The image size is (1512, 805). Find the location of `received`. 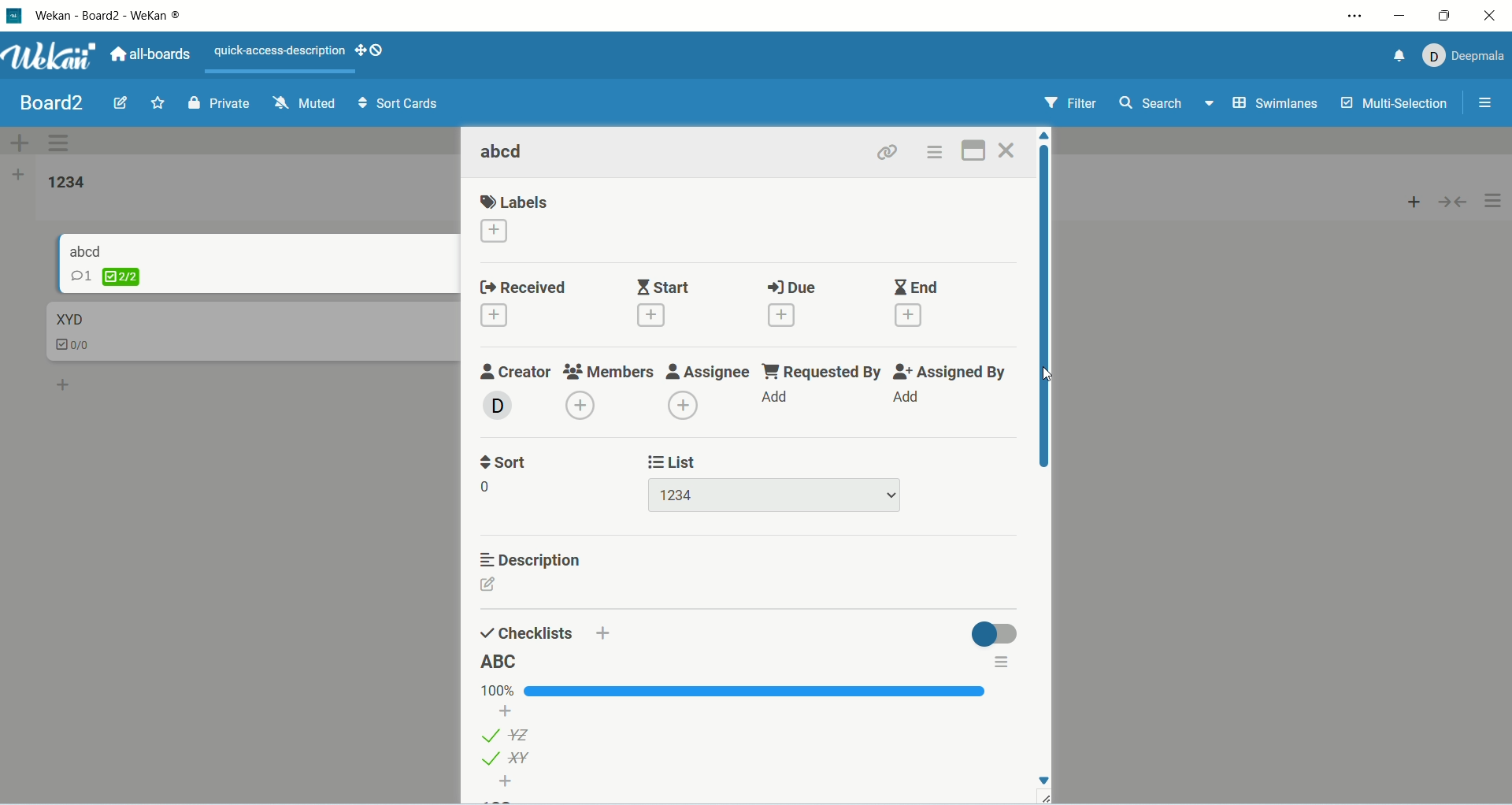

received is located at coordinates (523, 287).